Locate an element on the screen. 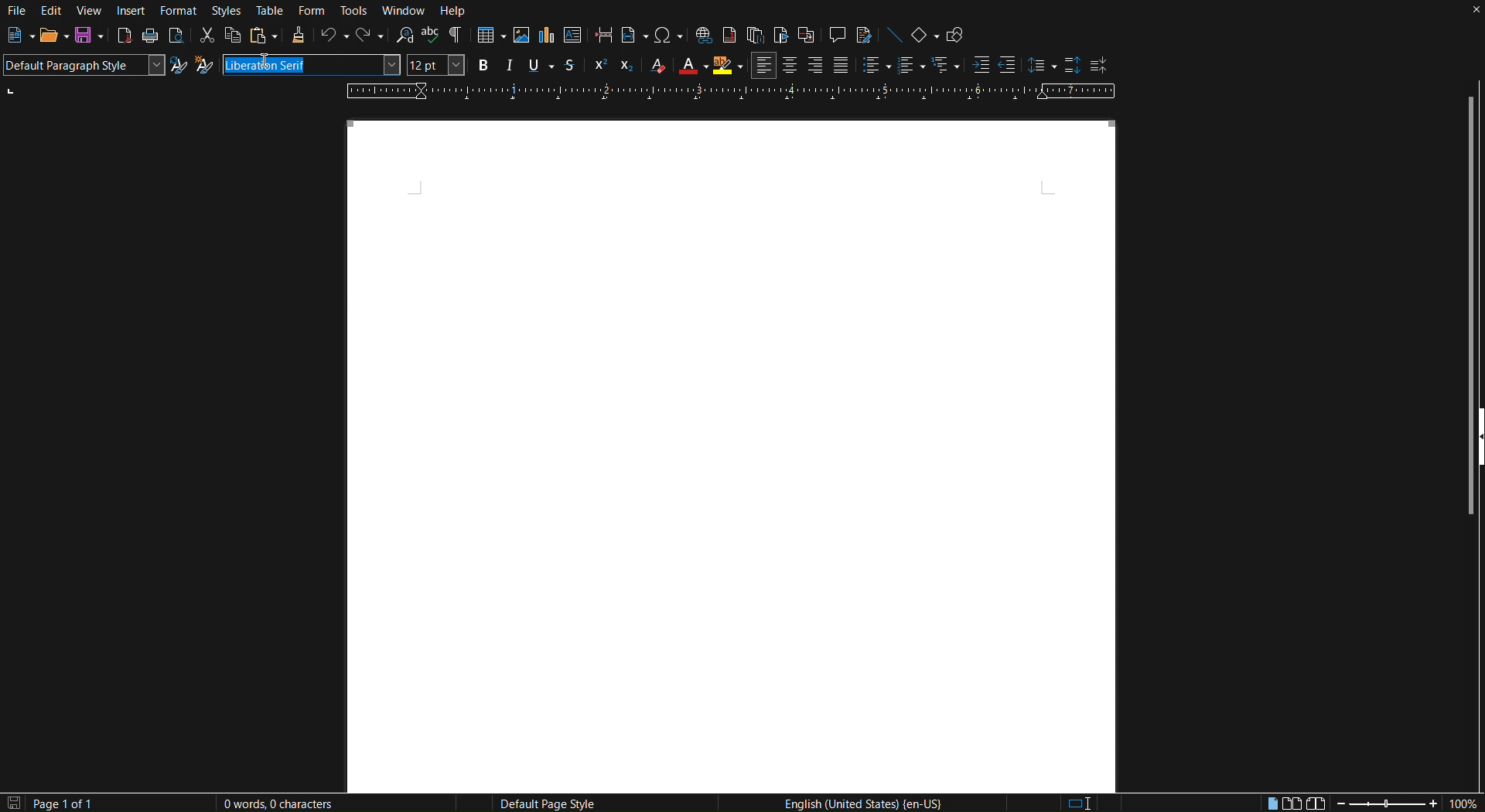  Standard Selection is located at coordinates (1085, 803).